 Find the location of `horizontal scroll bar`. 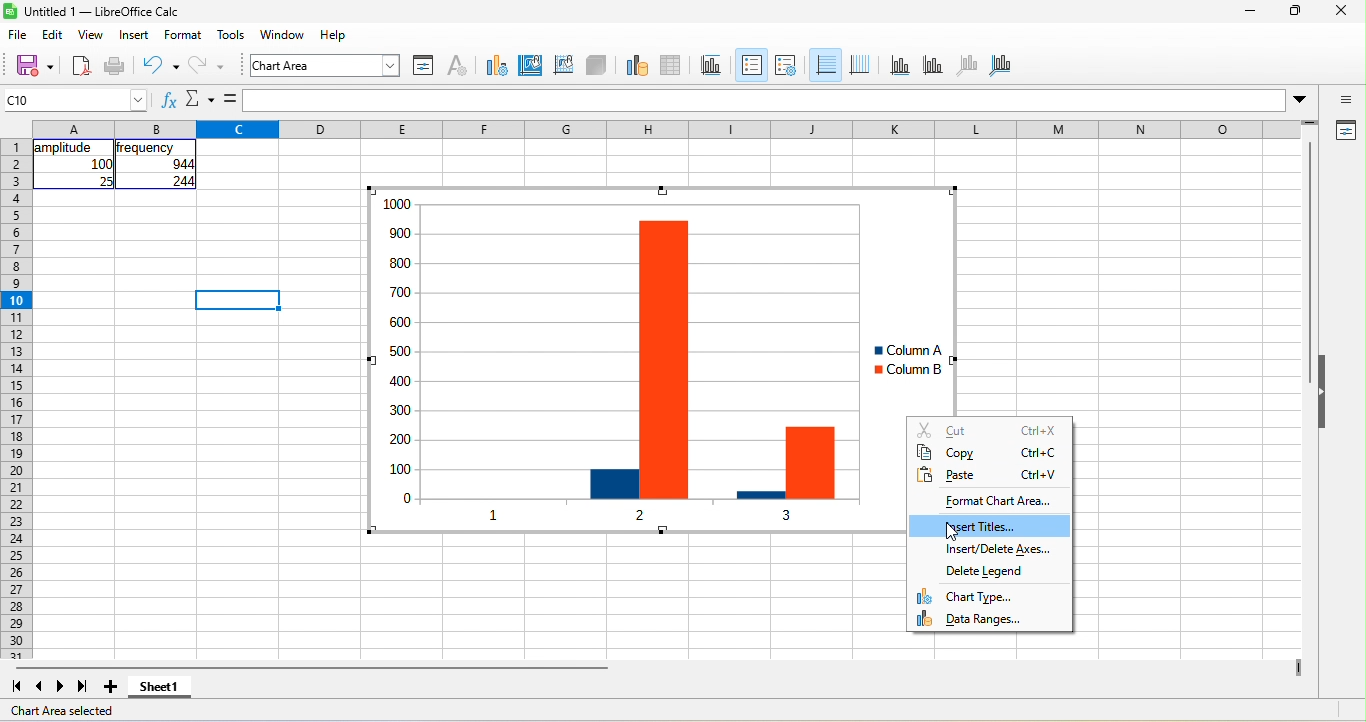

horizontal scroll bar is located at coordinates (312, 668).